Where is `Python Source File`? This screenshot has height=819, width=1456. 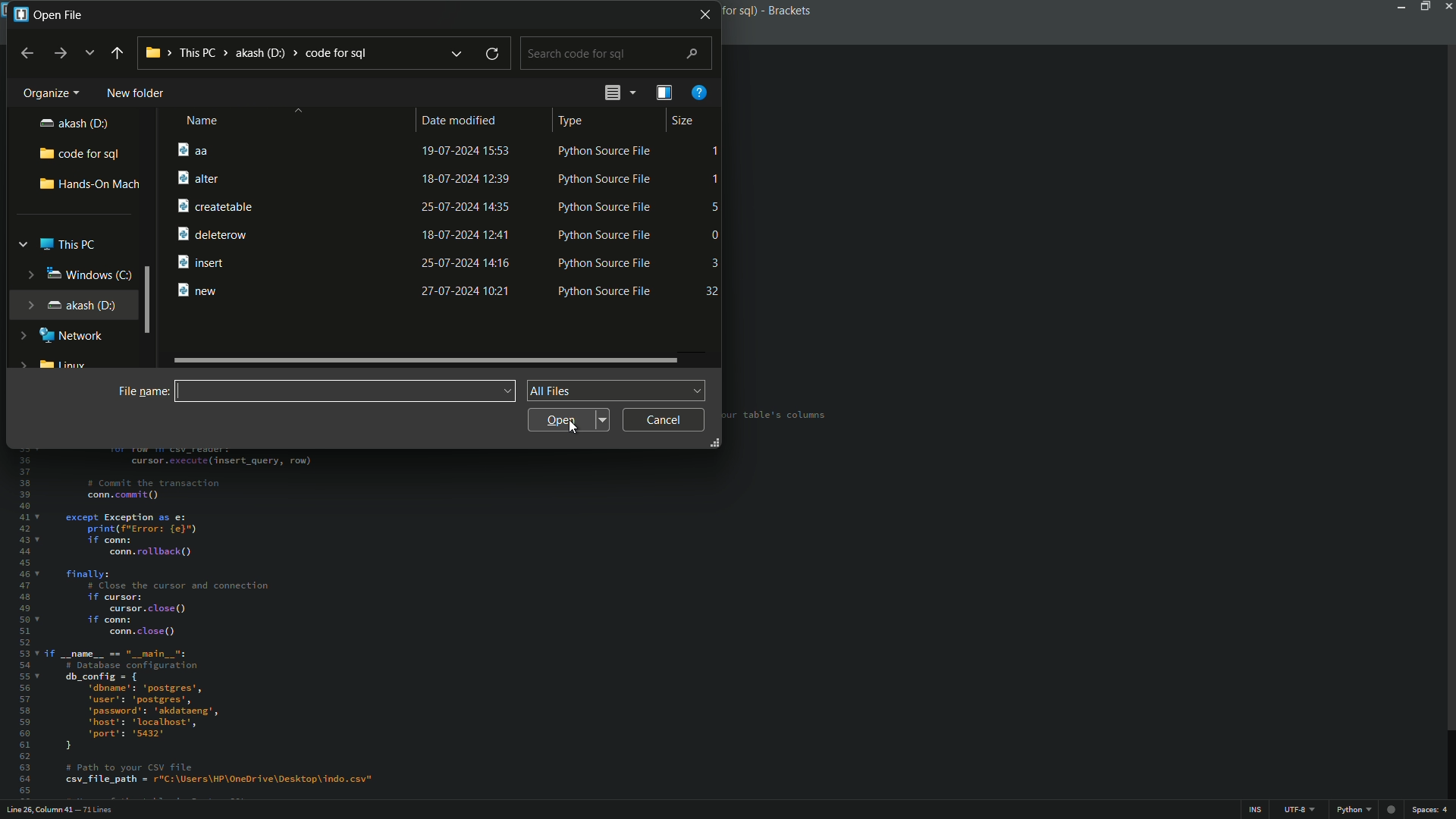 Python Source File is located at coordinates (607, 178).